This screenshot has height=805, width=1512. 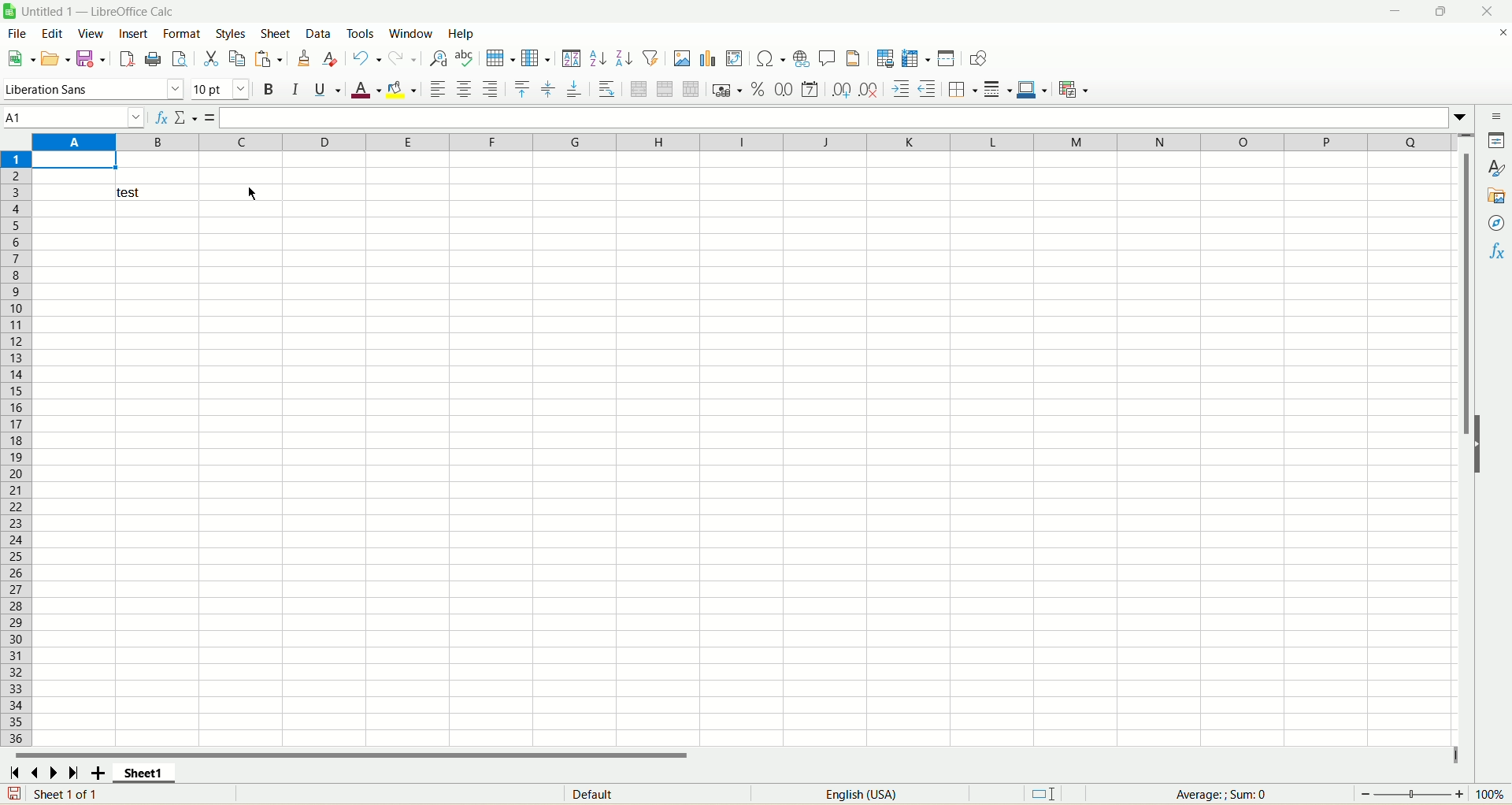 I want to click on row, so click(x=499, y=58).